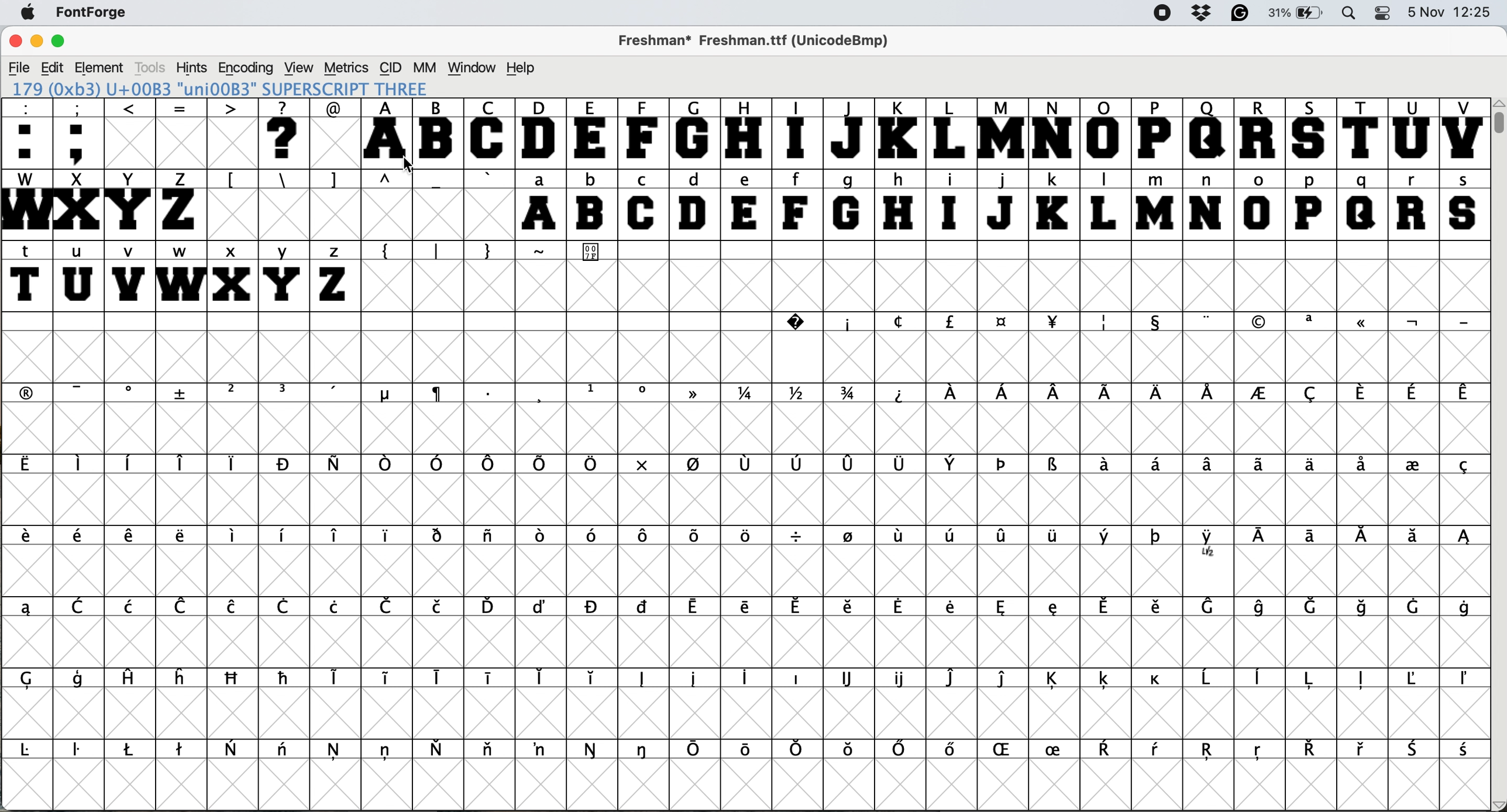 This screenshot has width=1507, height=812. Describe the element at coordinates (1106, 680) in the screenshot. I see `symbol` at that location.